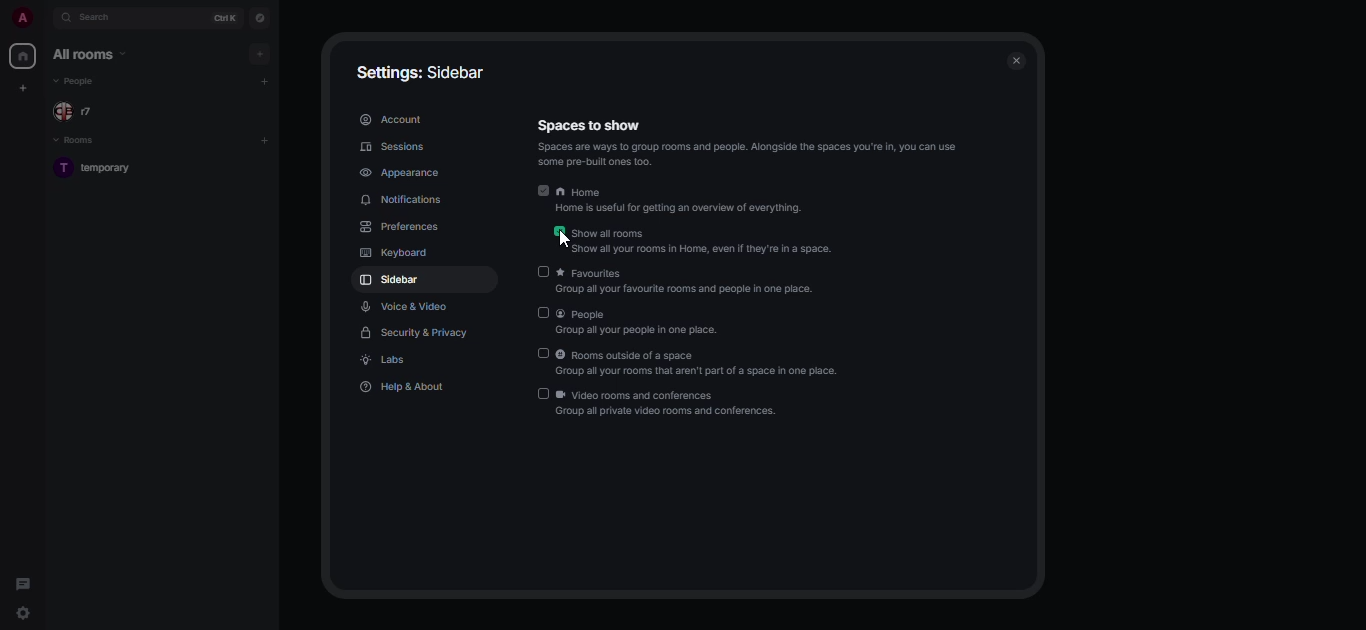  What do you see at coordinates (80, 140) in the screenshot?
I see `rooms` at bounding box center [80, 140].